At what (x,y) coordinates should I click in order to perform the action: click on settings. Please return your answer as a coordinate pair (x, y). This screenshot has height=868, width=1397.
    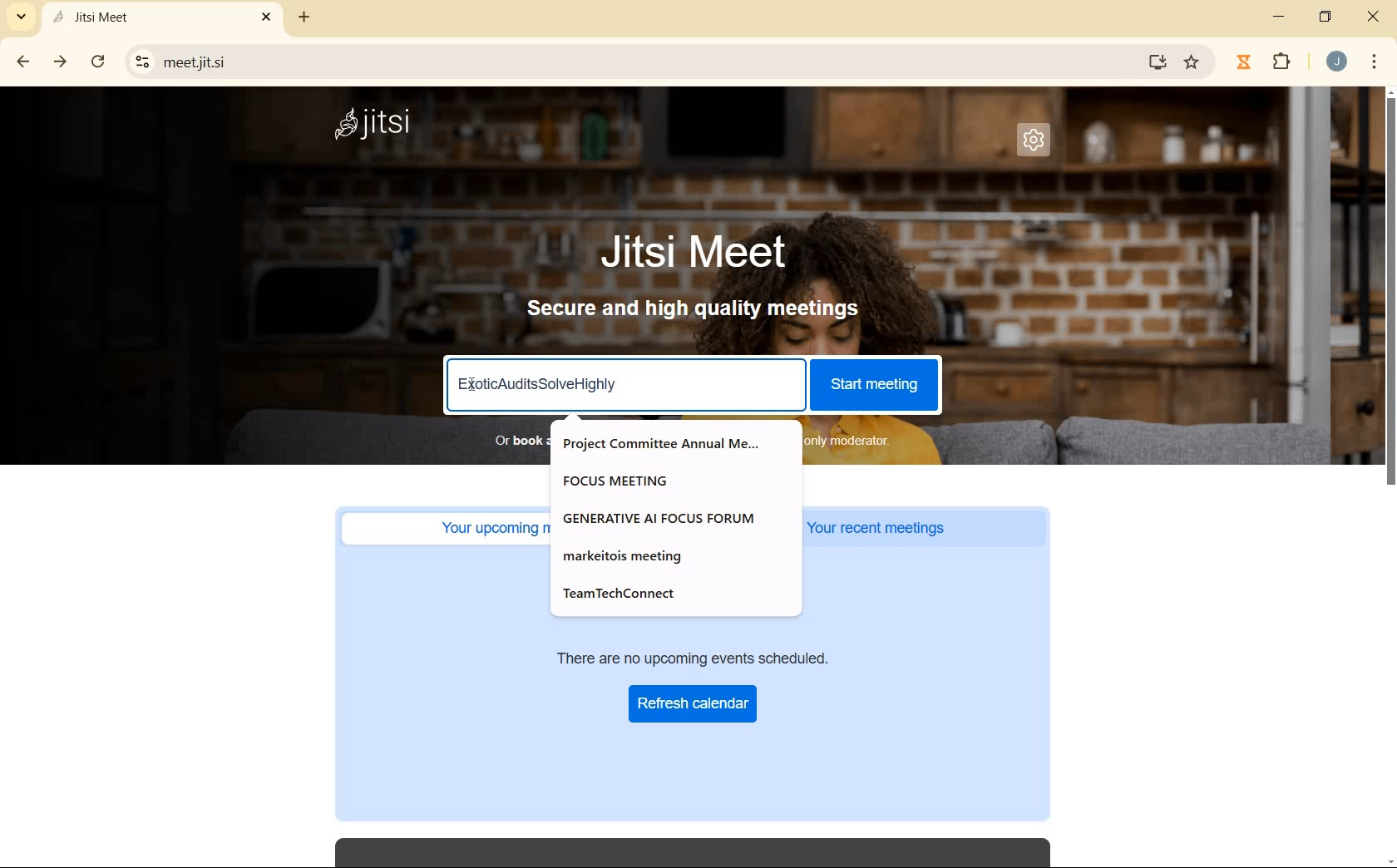
    Looking at the image, I should click on (1034, 141).